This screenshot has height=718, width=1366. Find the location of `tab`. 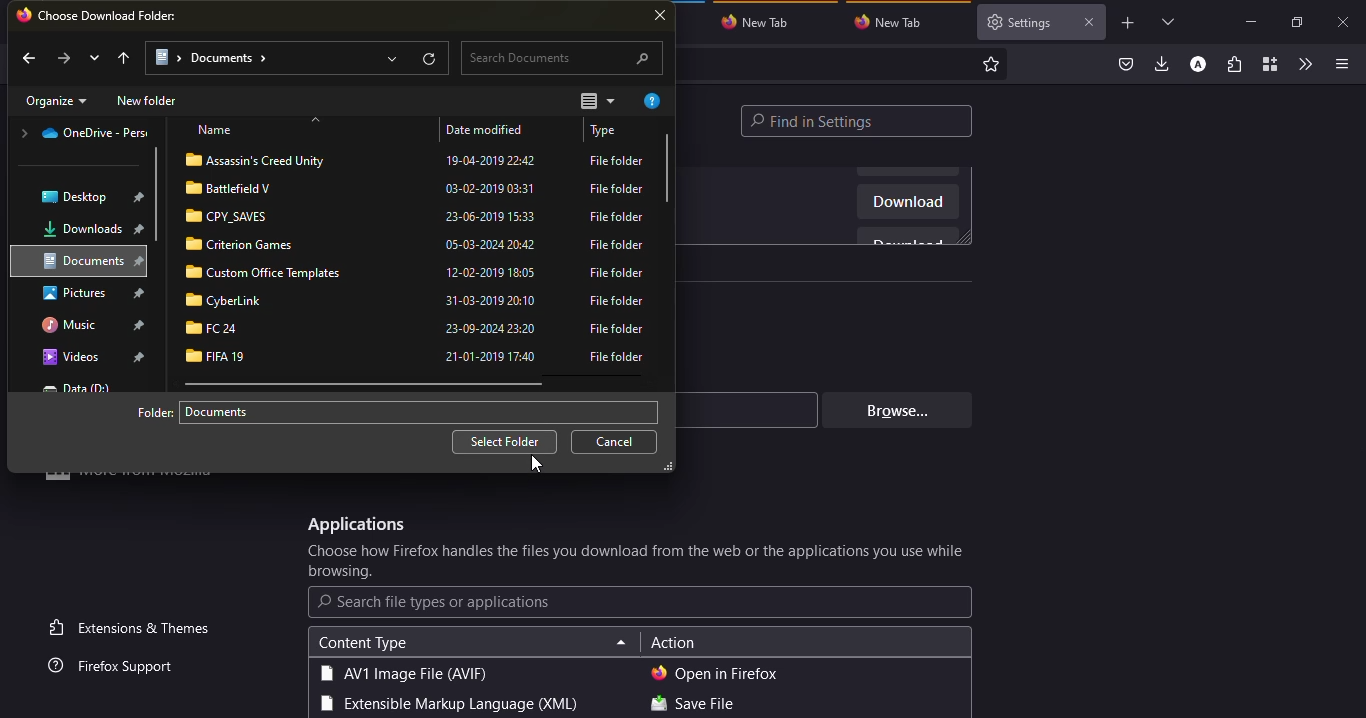

tab is located at coordinates (1021, 22).